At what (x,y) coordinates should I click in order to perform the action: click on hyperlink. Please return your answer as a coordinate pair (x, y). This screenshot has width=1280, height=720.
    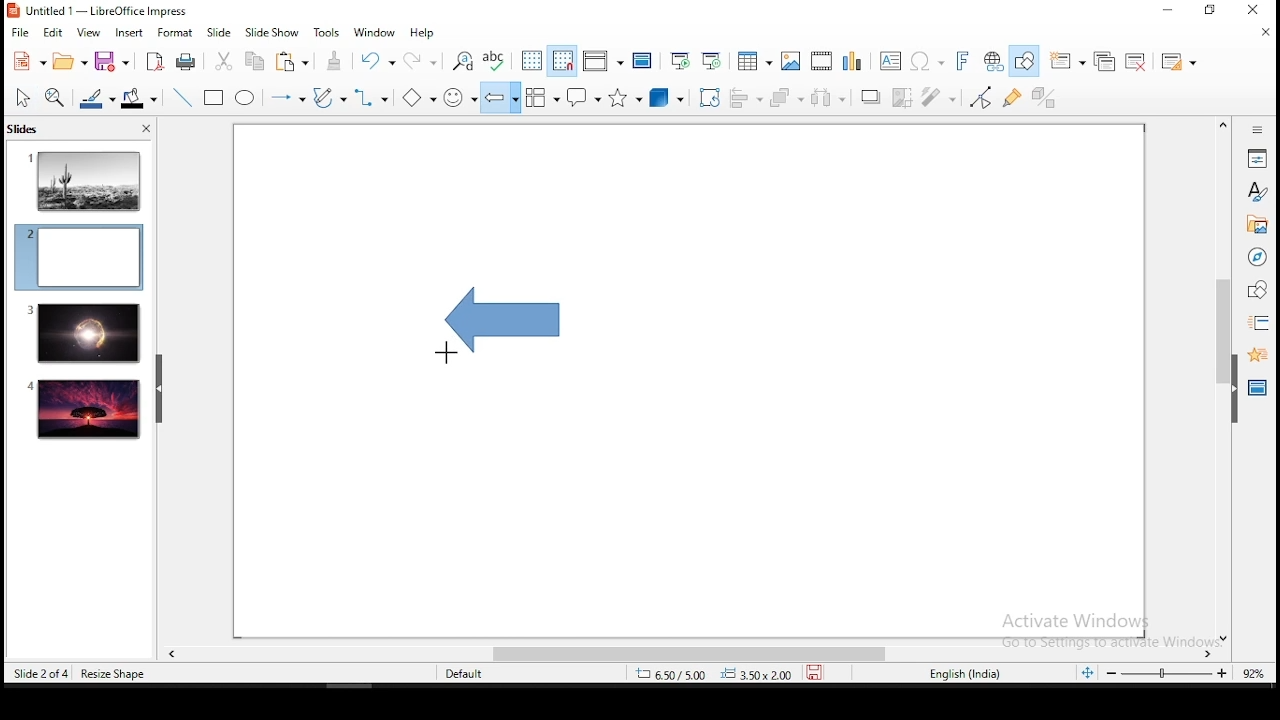
    Looking at the image, I should click on (994, 62).